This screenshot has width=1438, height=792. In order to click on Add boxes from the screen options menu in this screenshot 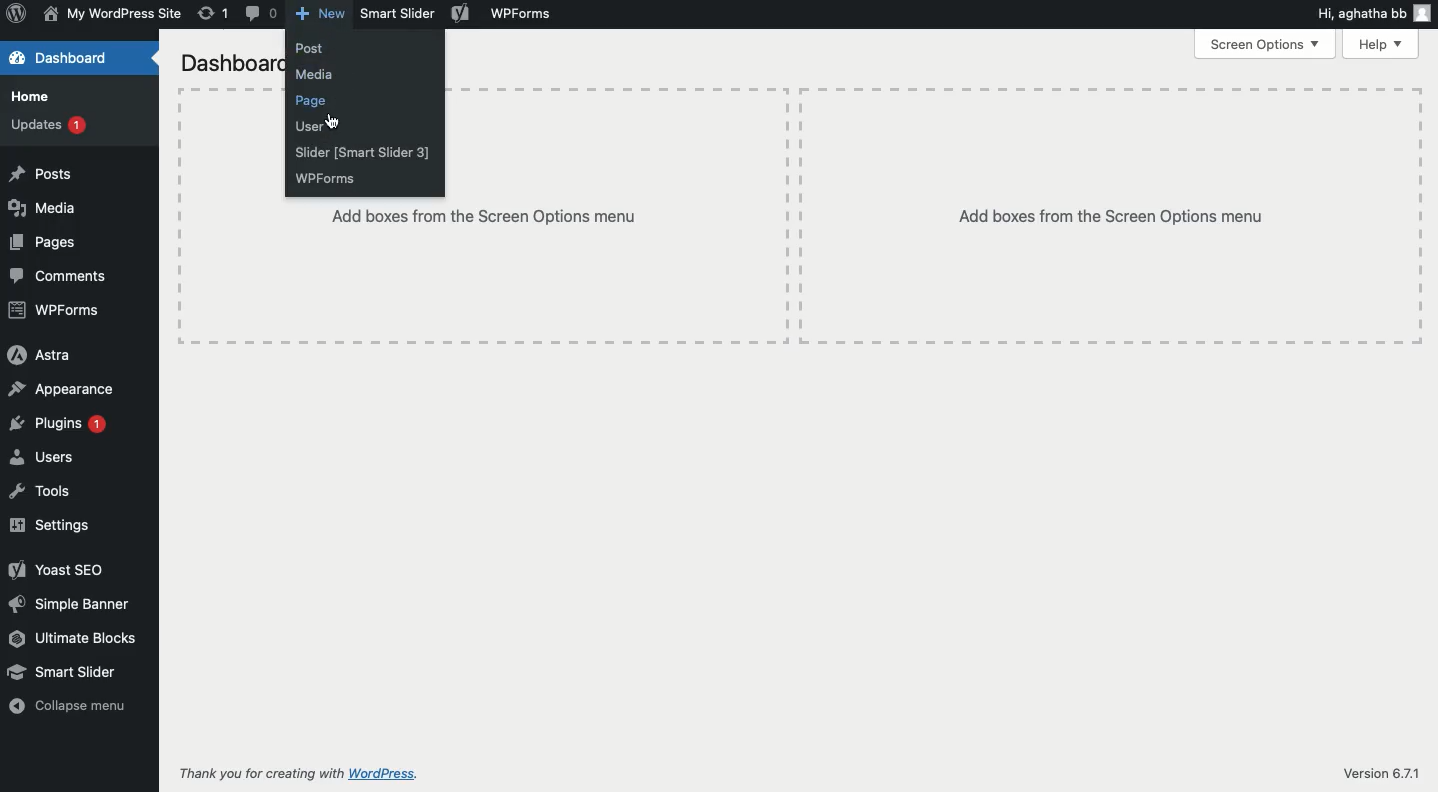, I will do `click(484, 273)`.